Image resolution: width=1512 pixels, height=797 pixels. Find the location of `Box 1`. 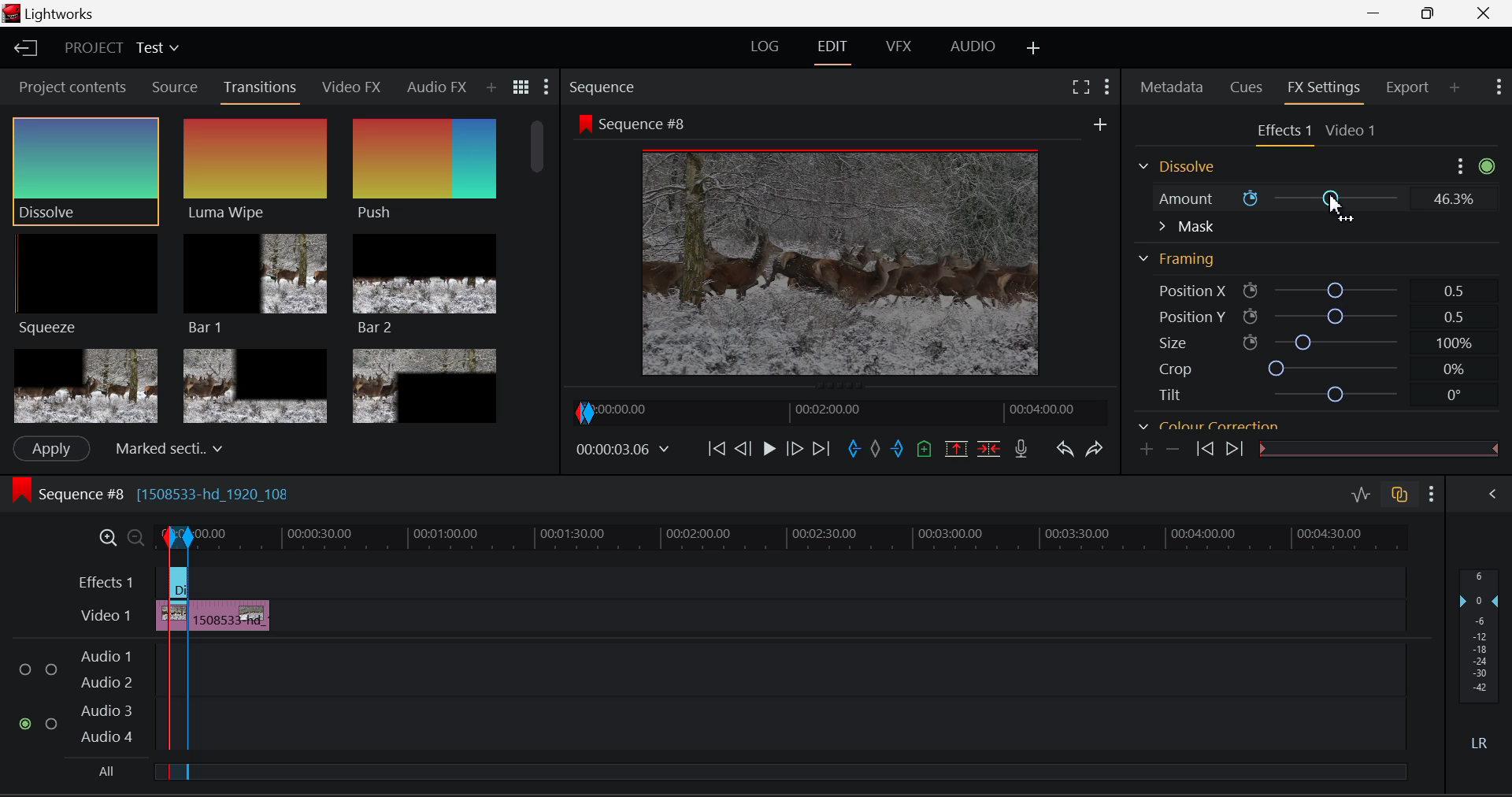

Box 1 is located at coordinates (84, 387).